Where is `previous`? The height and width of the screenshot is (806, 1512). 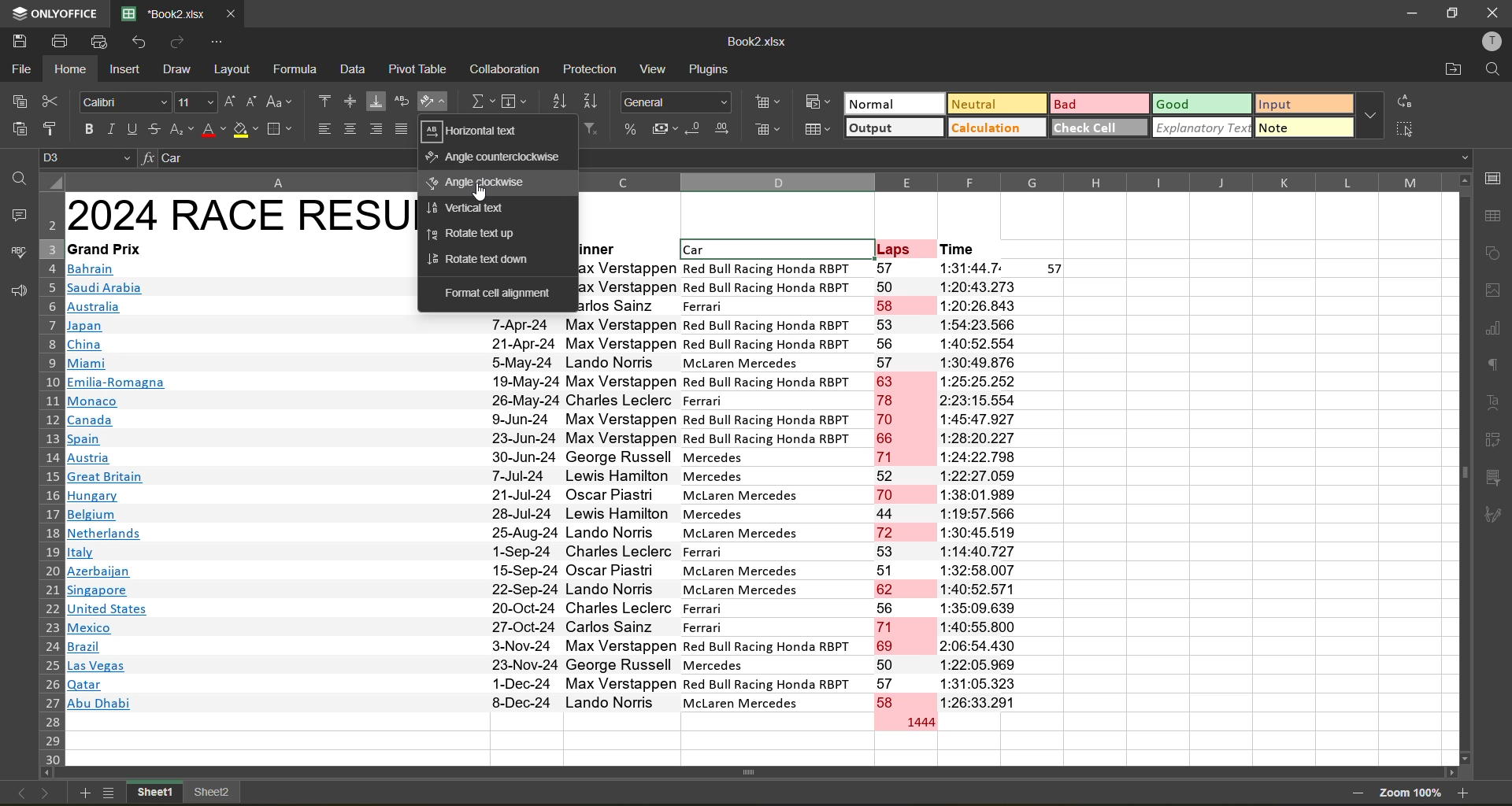 previous is located at coordinates (18, 792).